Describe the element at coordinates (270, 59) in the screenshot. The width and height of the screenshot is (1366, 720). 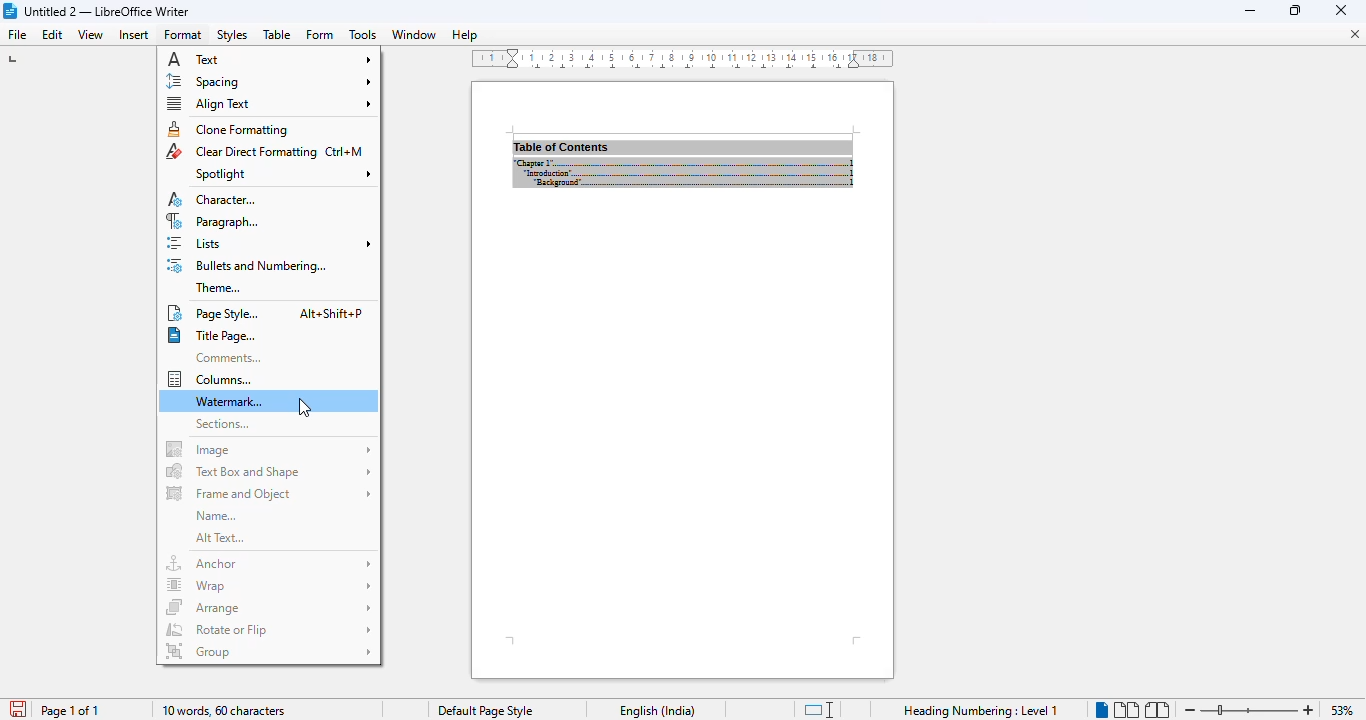
I see `text` at that location.